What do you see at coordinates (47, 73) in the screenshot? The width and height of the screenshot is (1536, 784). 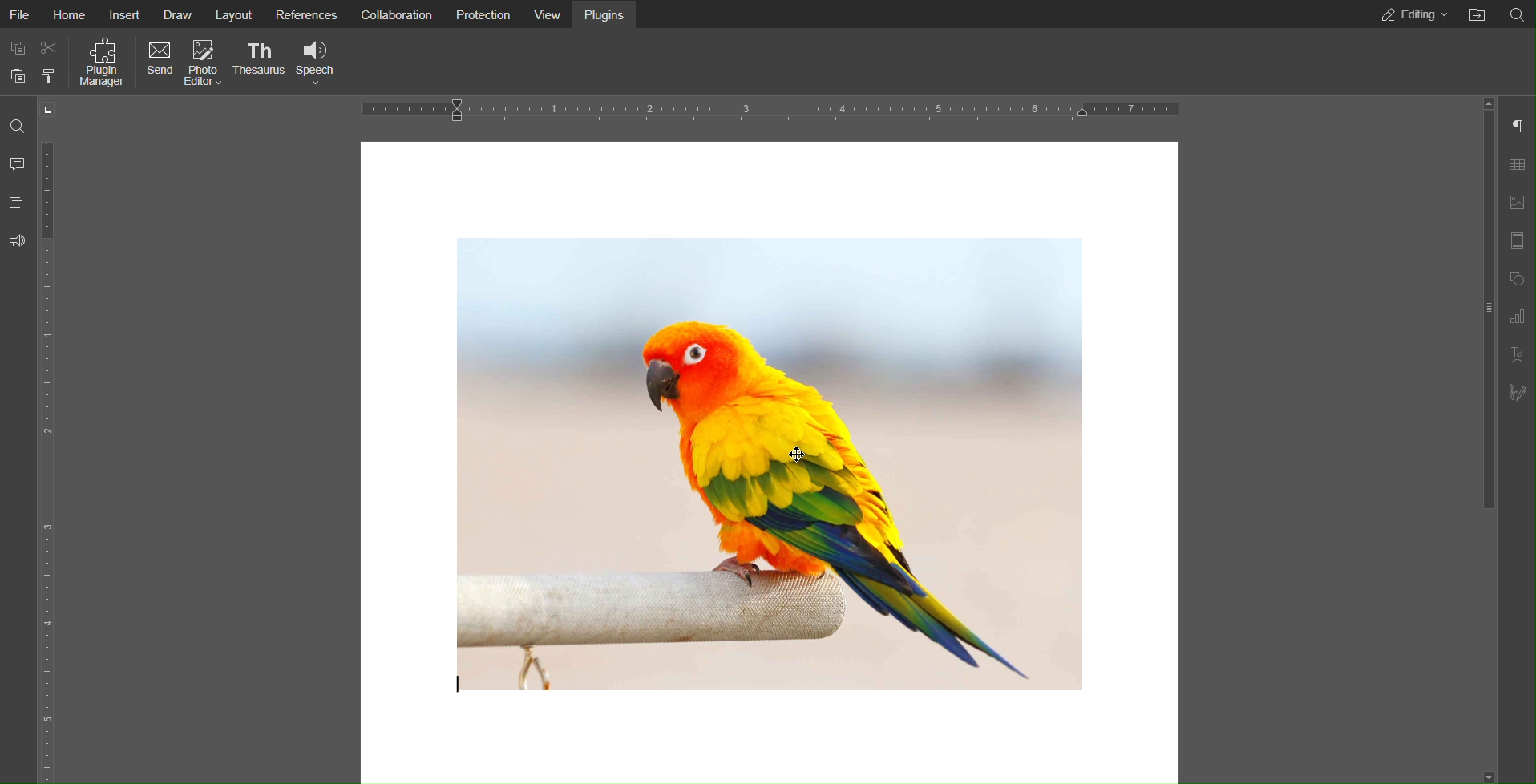 I see `Copy style` at bounding box center [47, 73].